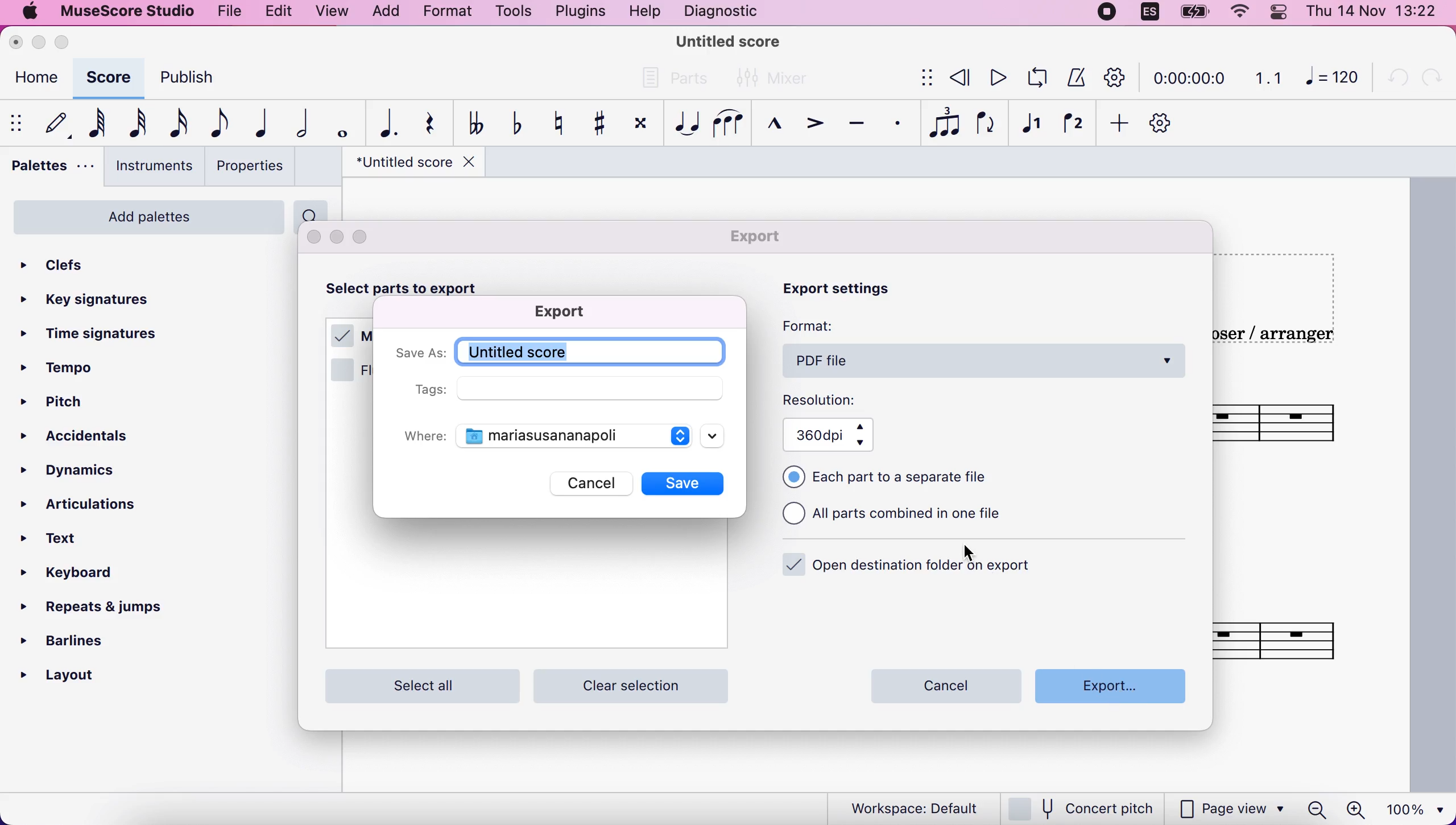 The width and height of the screenshot is (1456, 825). Describe the element at coordinates (84, 398) in the screenshot. I see `pitch` at that location.